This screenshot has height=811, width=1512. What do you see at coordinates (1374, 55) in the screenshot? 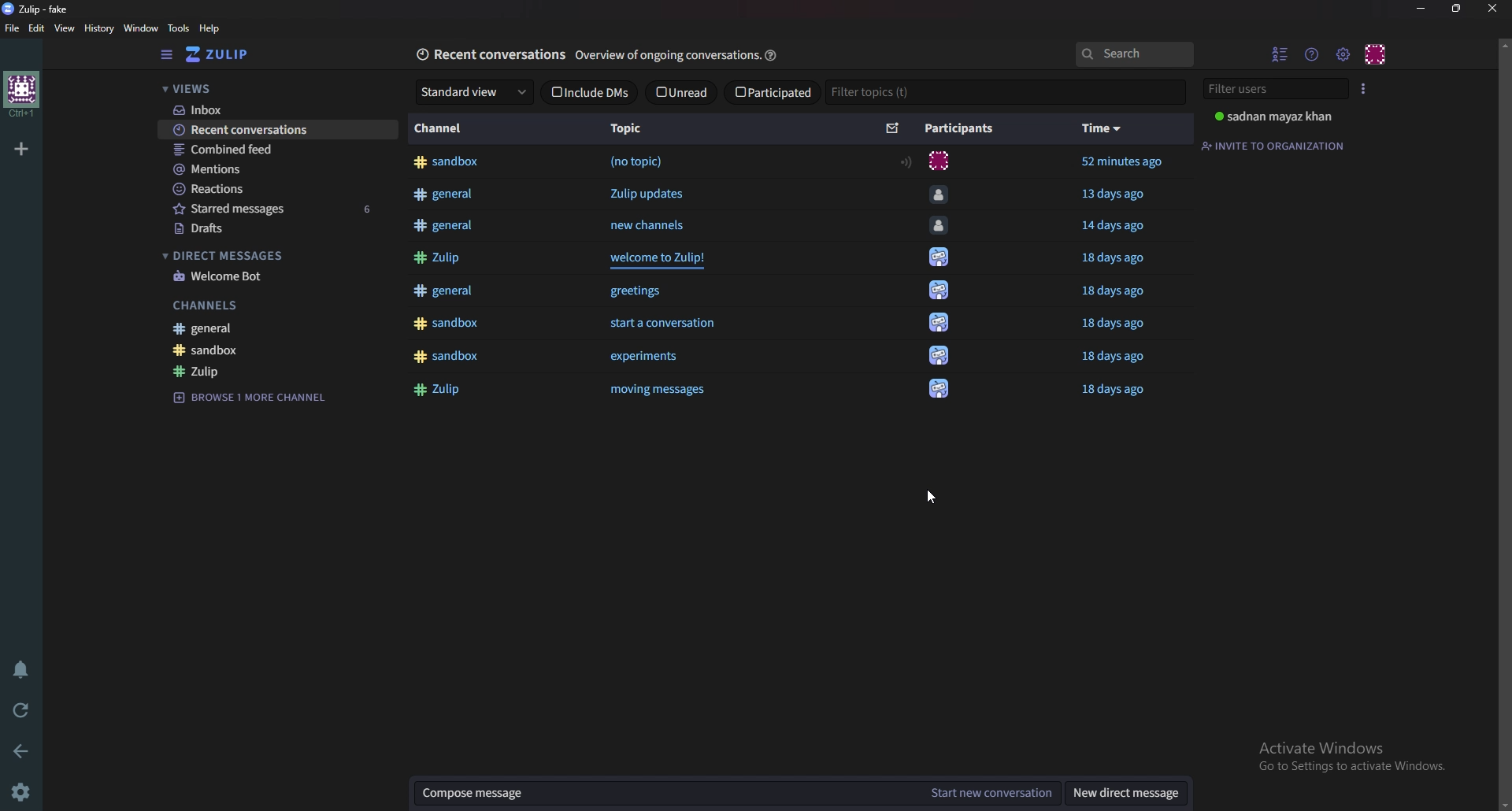
I see `Personal menu` at bounding box center [1374, 55].